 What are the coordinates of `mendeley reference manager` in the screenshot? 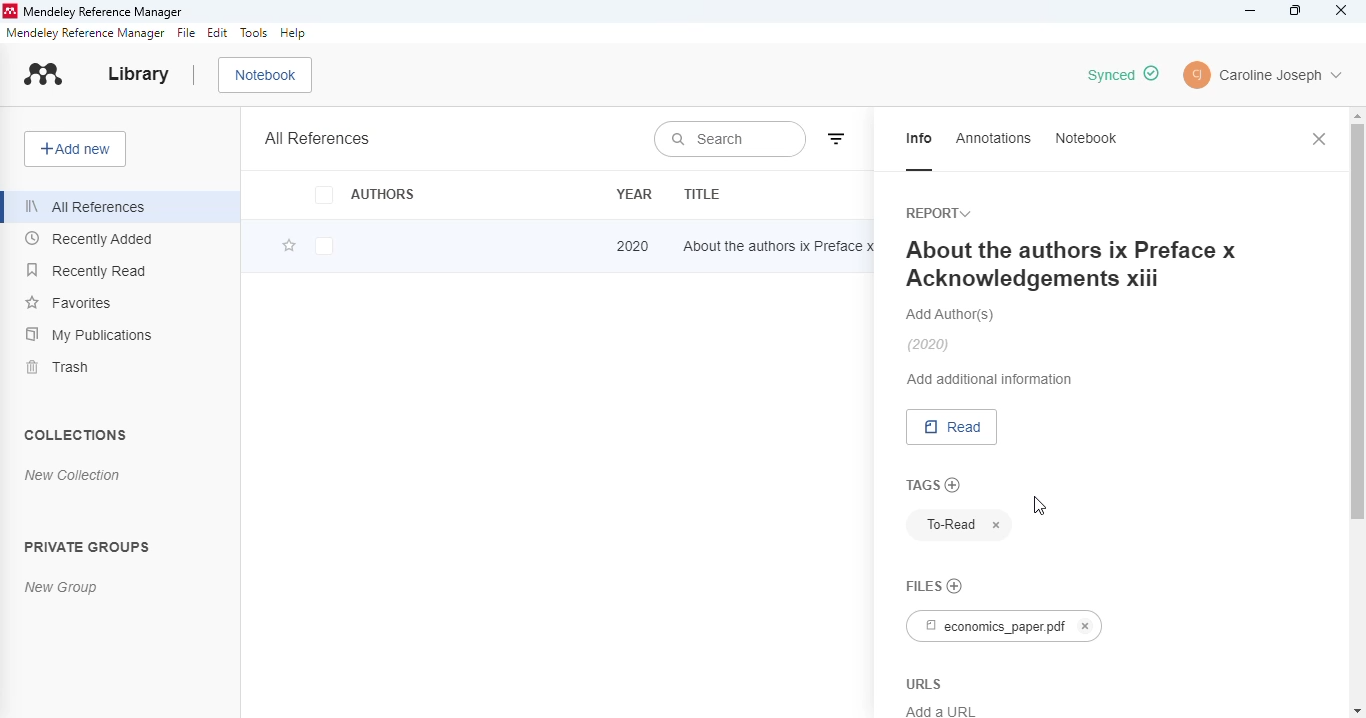 It's located at (85, 33).